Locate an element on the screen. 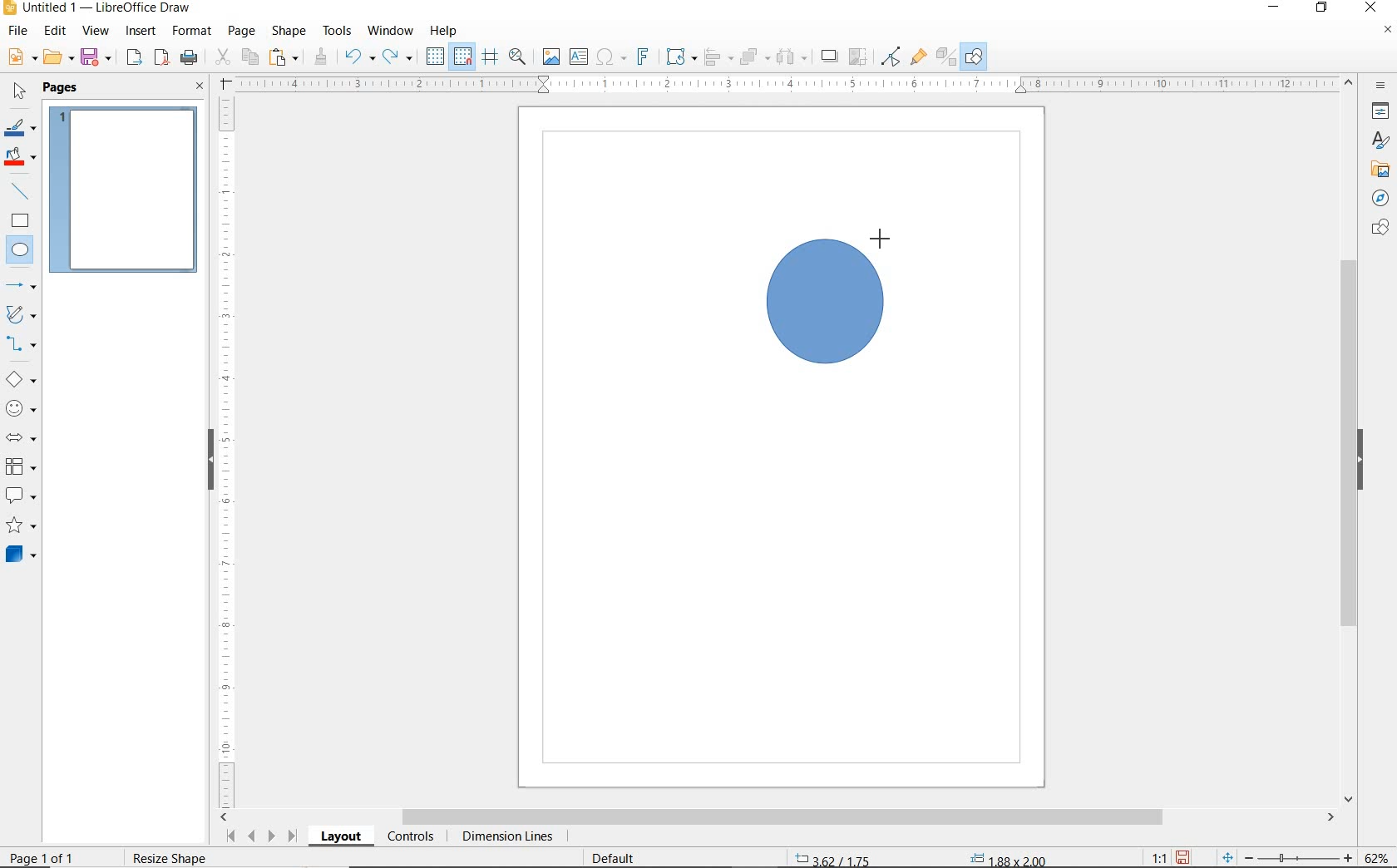 The height and width of the screenshot is (868, 1397). SCALE FACTOR is located at coordinates (1151, 857).